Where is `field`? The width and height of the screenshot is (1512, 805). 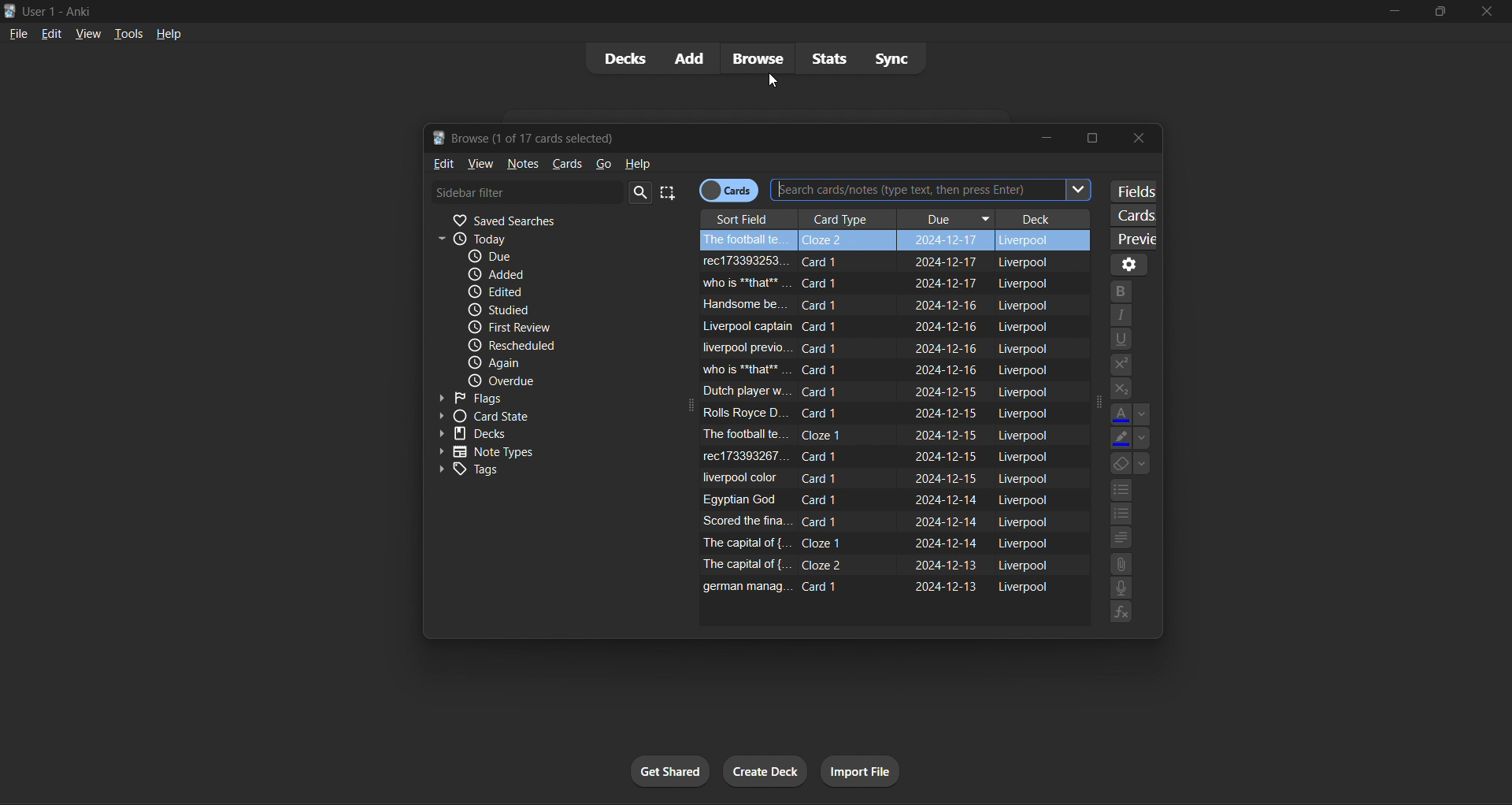
field is located at coordinates (746, 478).